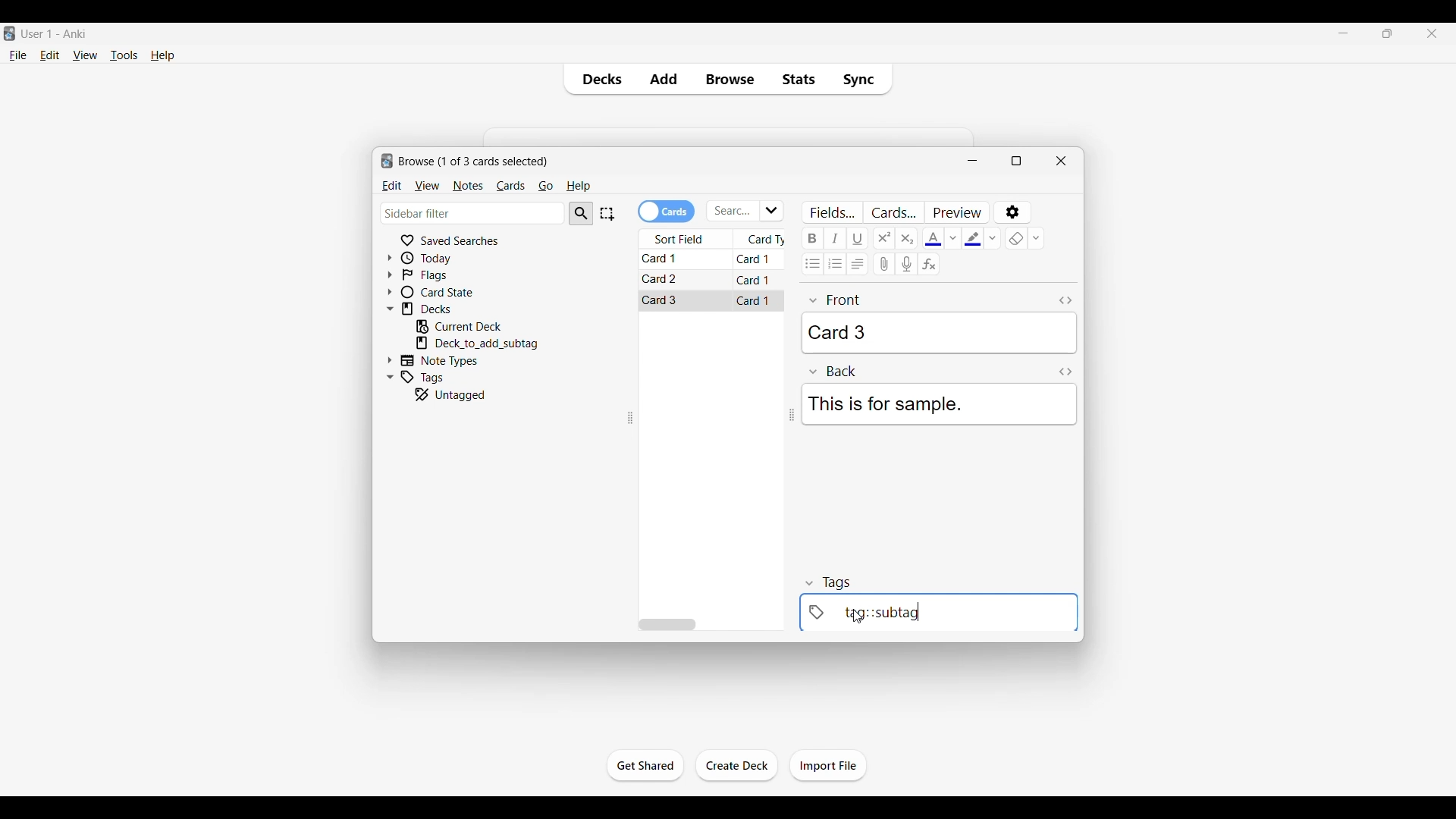 The width and height of the screenshot is (1456, 819). What do you see at coordinates (939, 333) in the screenshot?
I see `Card 3` at bounding box center [939, 333].